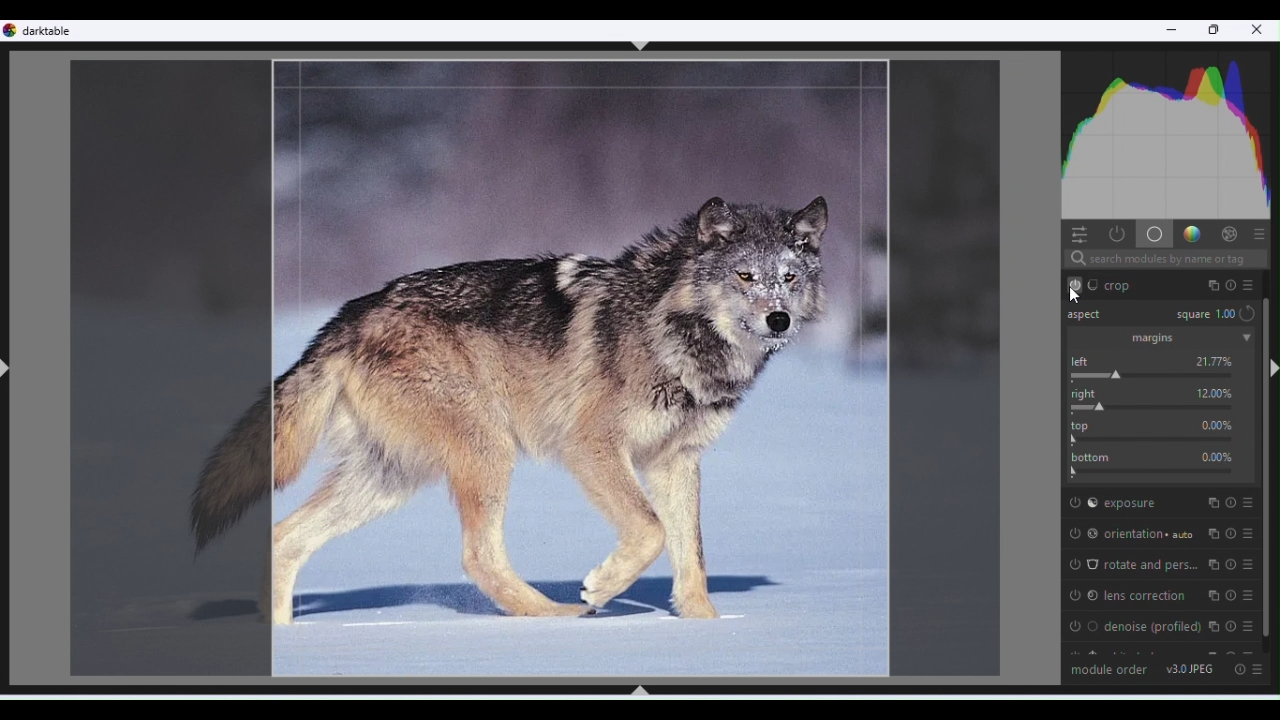 The width and height of the screenshot is (1280, 720). I want to click on V 3.0 JPEG, so click(1191, 668).